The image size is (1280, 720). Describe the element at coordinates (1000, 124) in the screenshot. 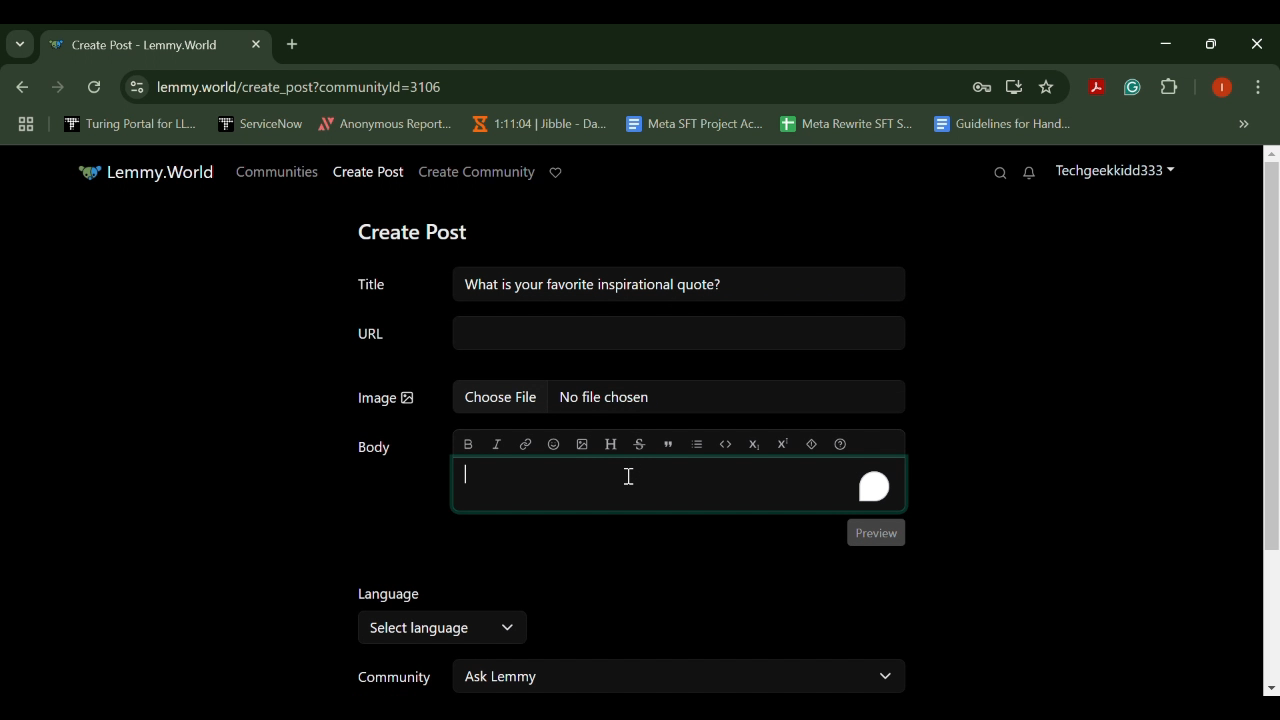

I see `Guidelines for Hand...` at that location.